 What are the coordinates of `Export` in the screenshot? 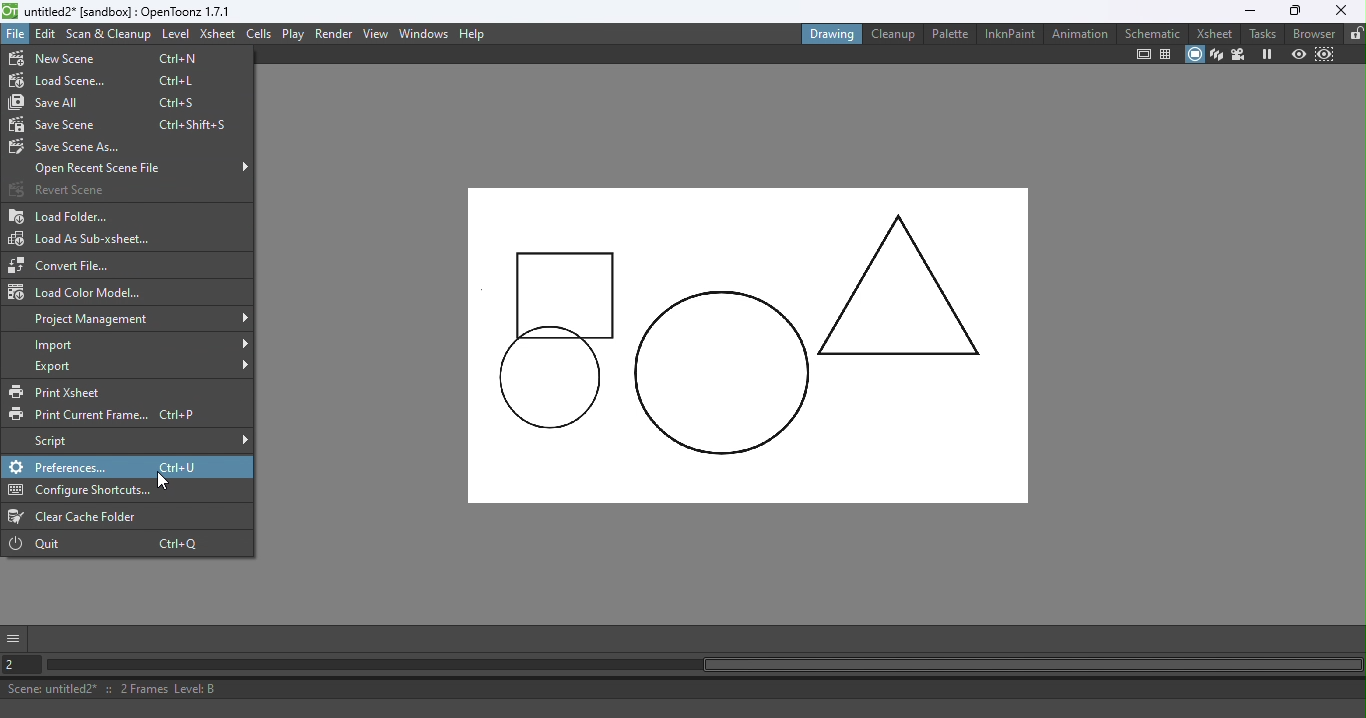 It's located at (145, 365).